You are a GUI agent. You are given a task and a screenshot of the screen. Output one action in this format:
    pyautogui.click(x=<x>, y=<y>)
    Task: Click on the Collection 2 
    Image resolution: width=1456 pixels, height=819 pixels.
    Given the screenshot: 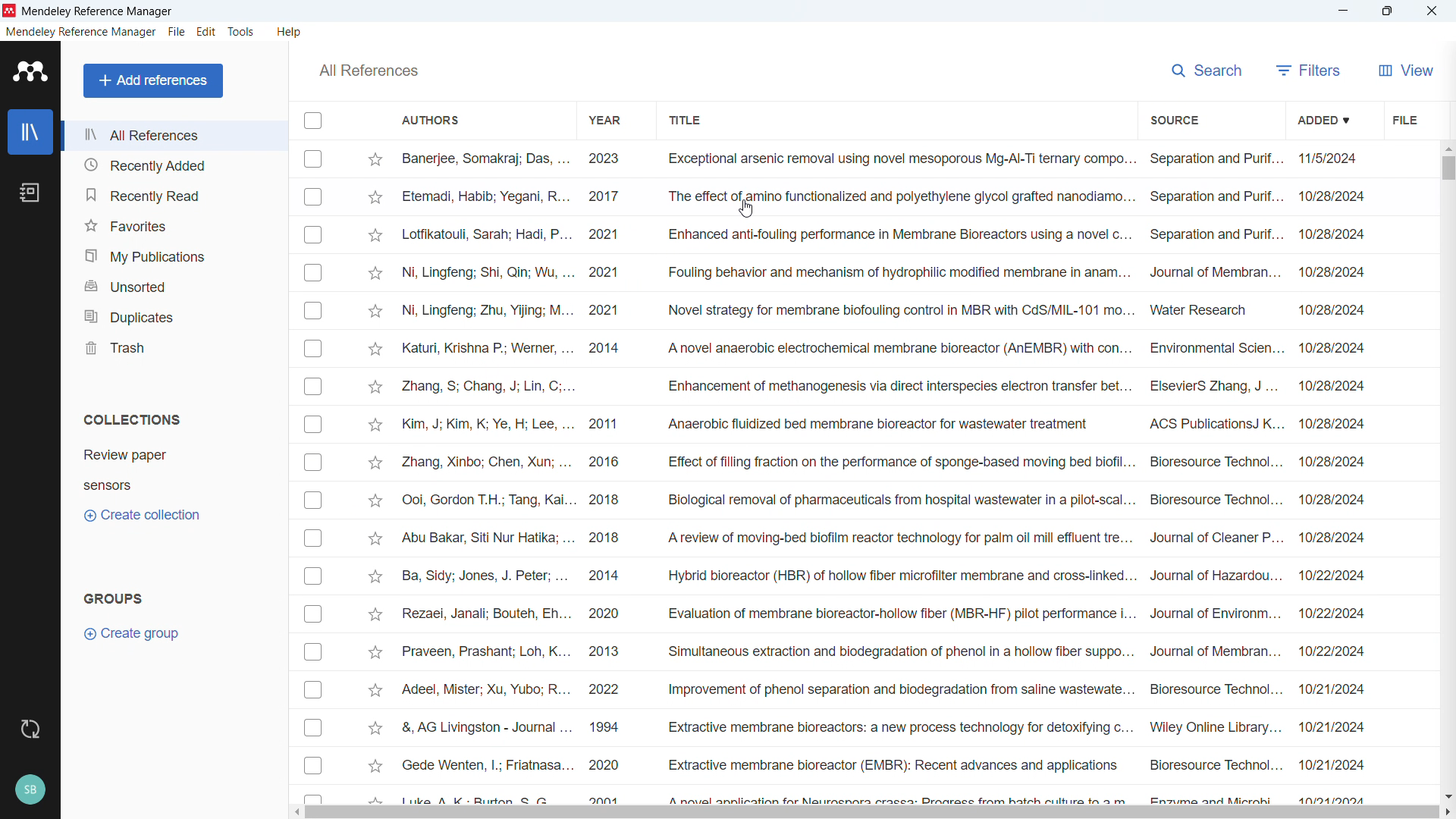 What is the action you would take?
    pyautogui.click(x=108, y=485)
    